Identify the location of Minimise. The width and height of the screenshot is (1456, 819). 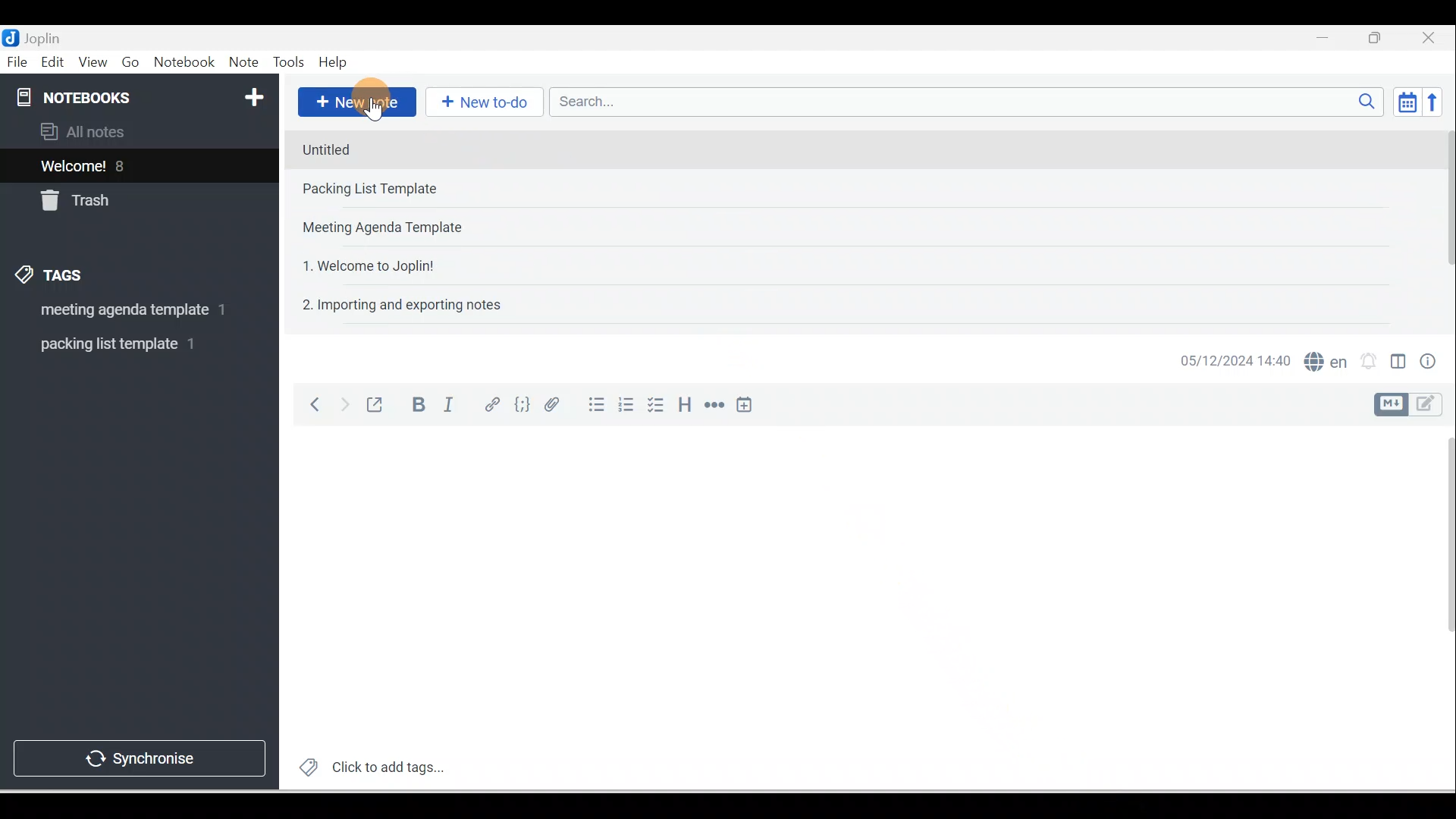
(1327, 39).